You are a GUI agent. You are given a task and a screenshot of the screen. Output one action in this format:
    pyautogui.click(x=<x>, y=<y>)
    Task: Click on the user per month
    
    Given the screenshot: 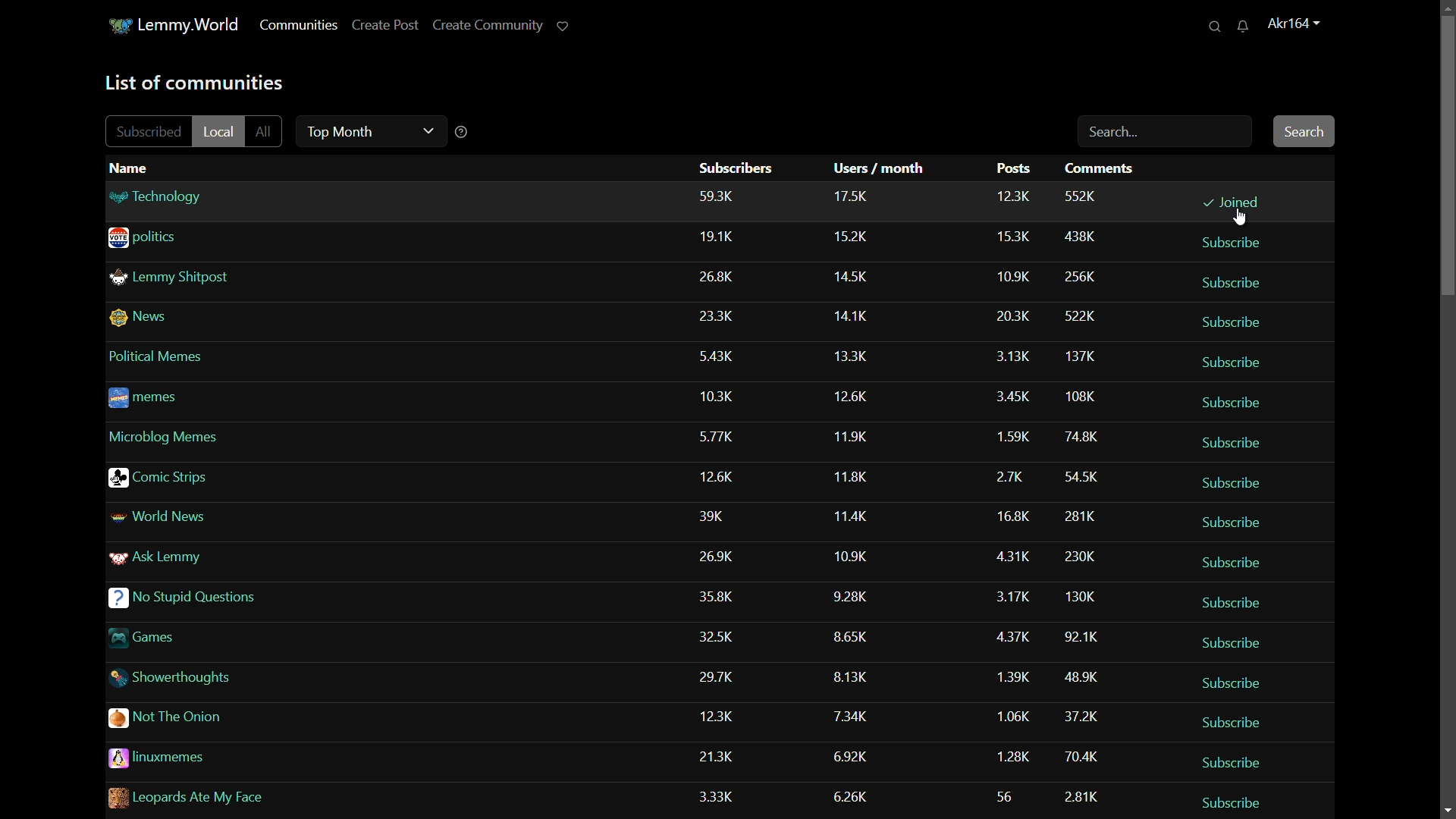 What is the action you would take?
    pyautogui.click(x=853, y=717)
    